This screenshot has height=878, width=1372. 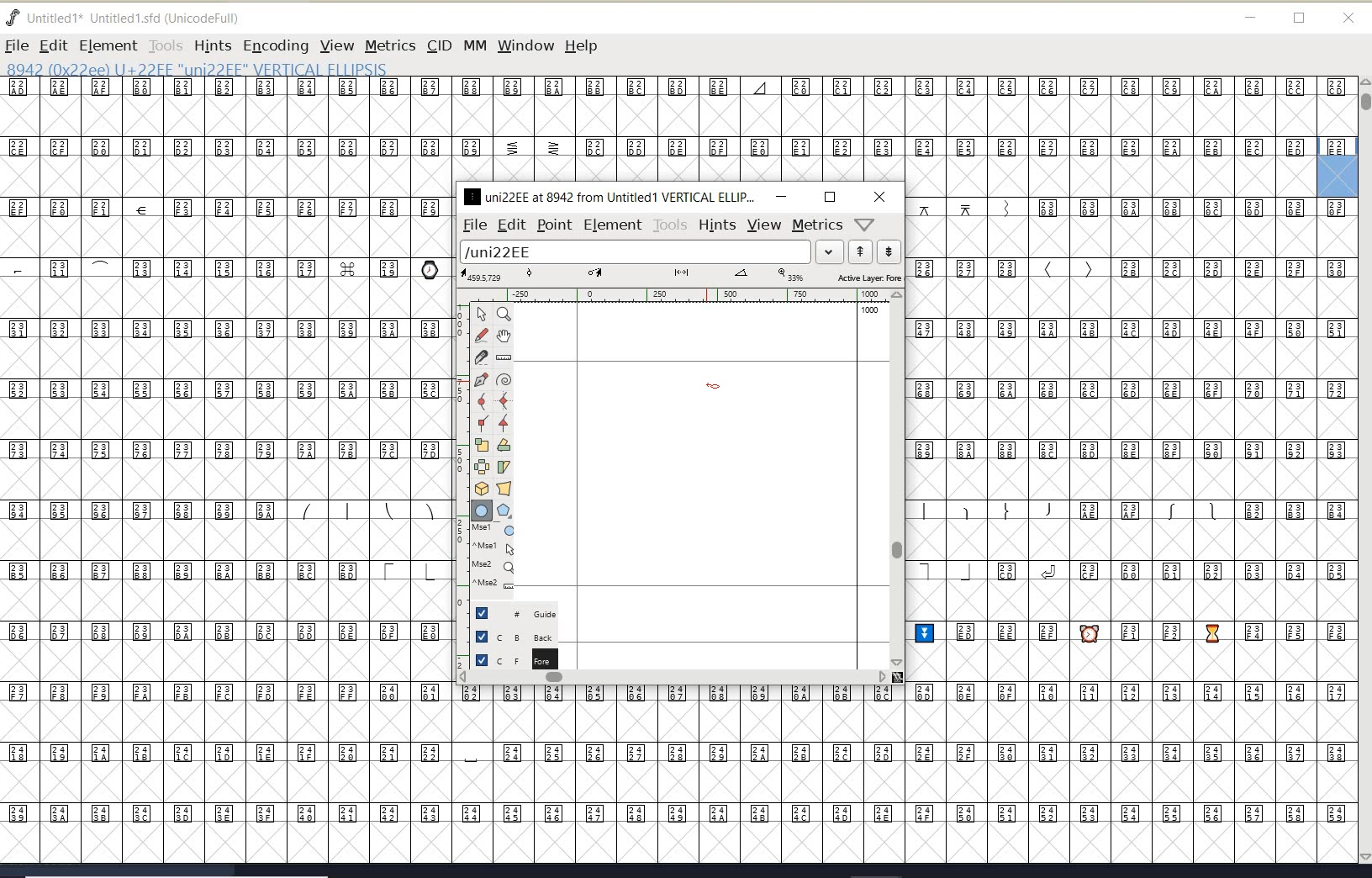 I want to click on ENCODING, so click(x=276, y=46).